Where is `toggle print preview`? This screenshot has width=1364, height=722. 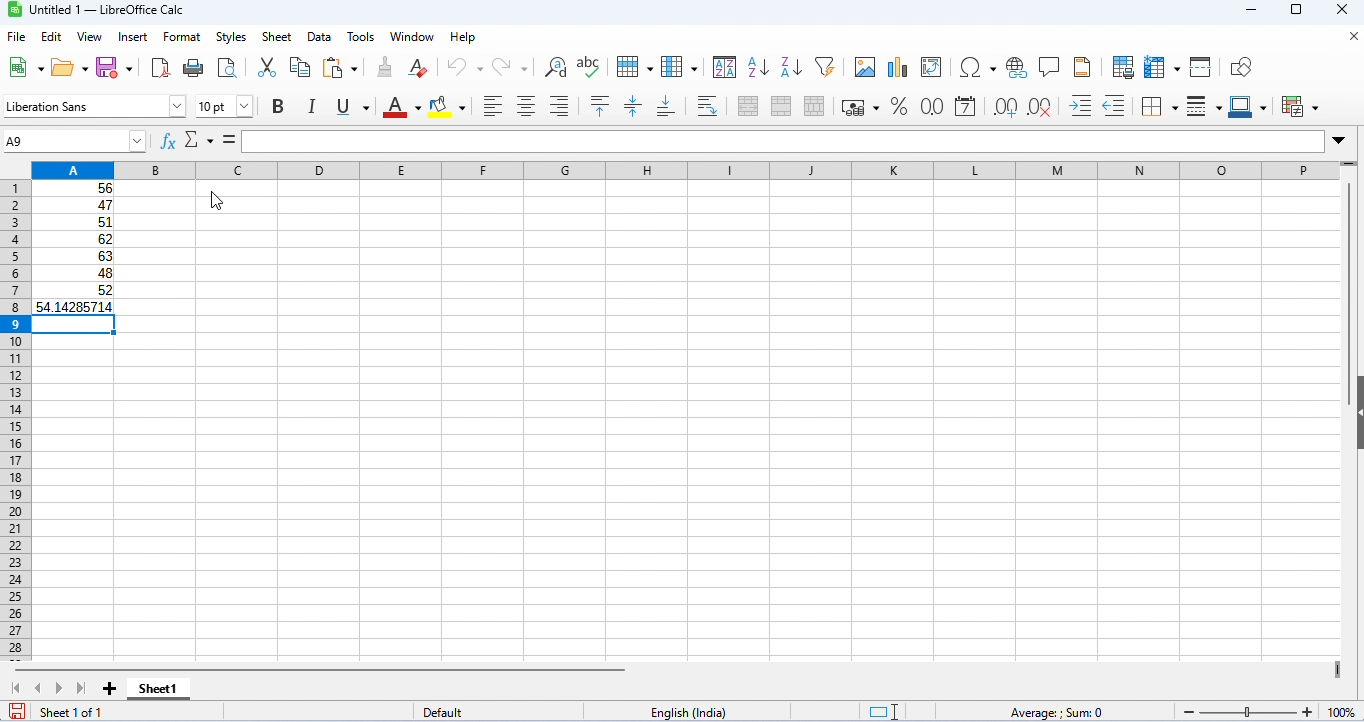
toggle print preview is located at coordinates (228, 67).